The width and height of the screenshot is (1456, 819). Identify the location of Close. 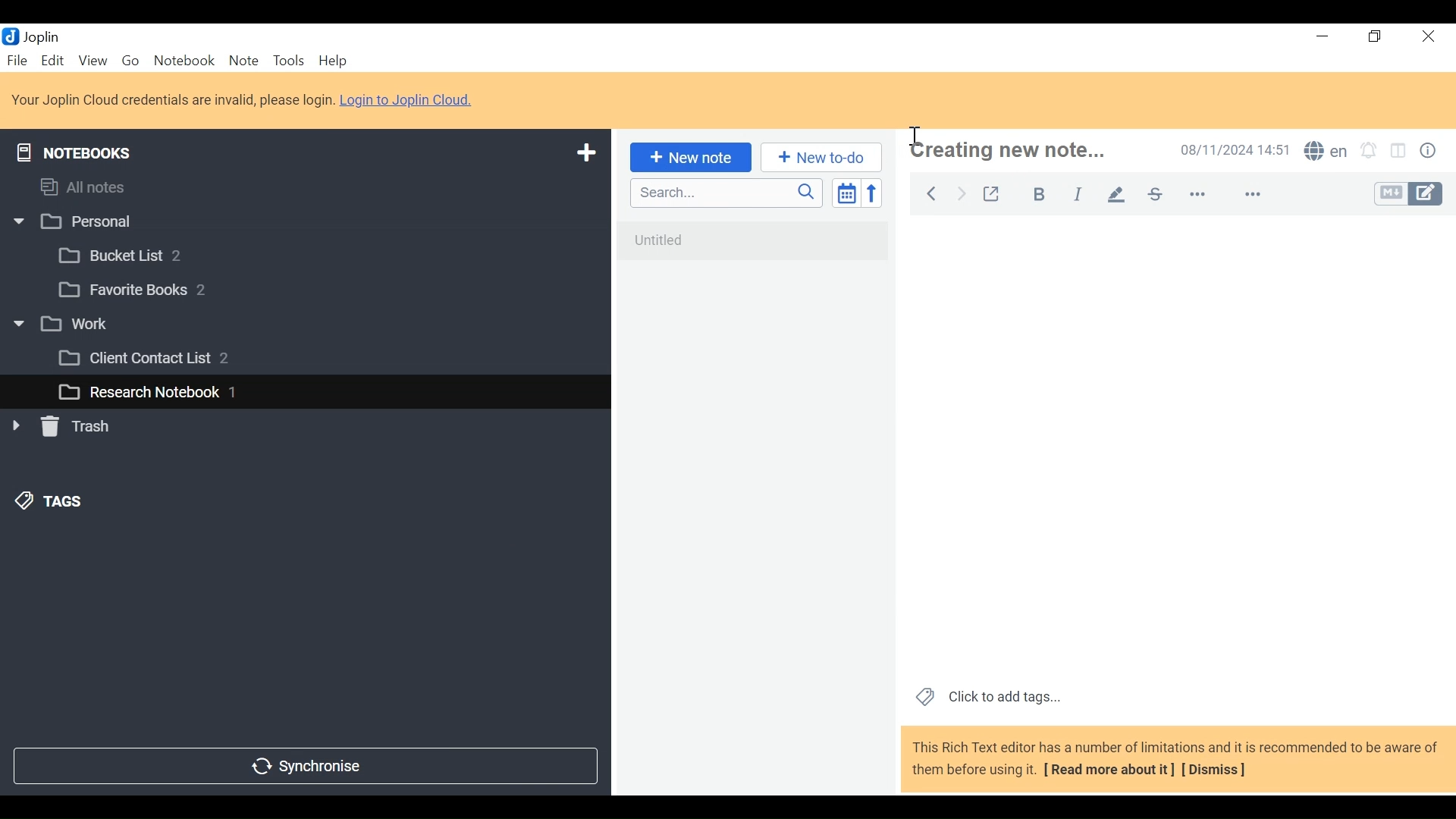
(1426, 37).